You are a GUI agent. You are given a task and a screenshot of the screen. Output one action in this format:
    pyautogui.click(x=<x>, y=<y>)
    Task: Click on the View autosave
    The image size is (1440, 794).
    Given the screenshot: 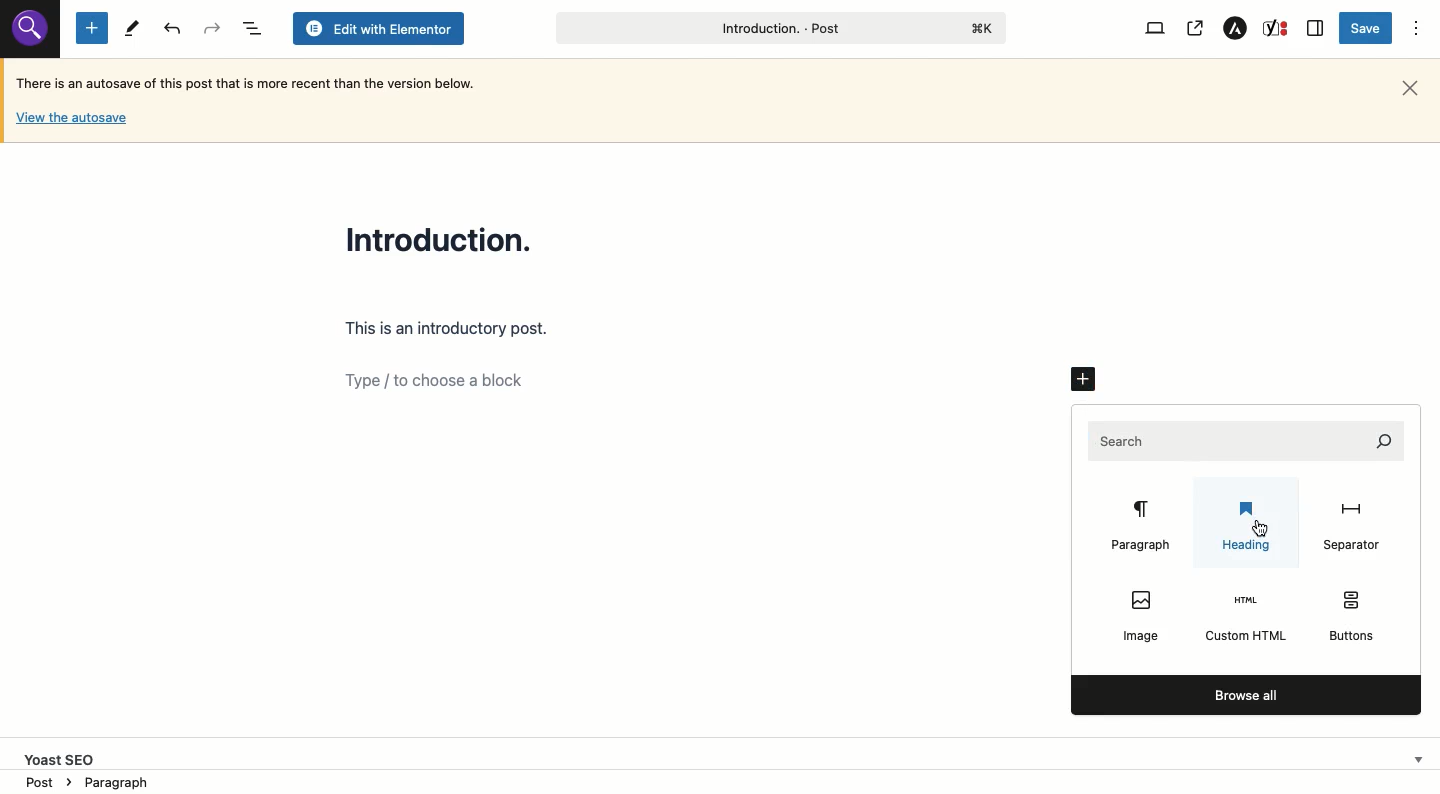 What is the action you would take?
    pyautogui.click(x=71, y=121)
    